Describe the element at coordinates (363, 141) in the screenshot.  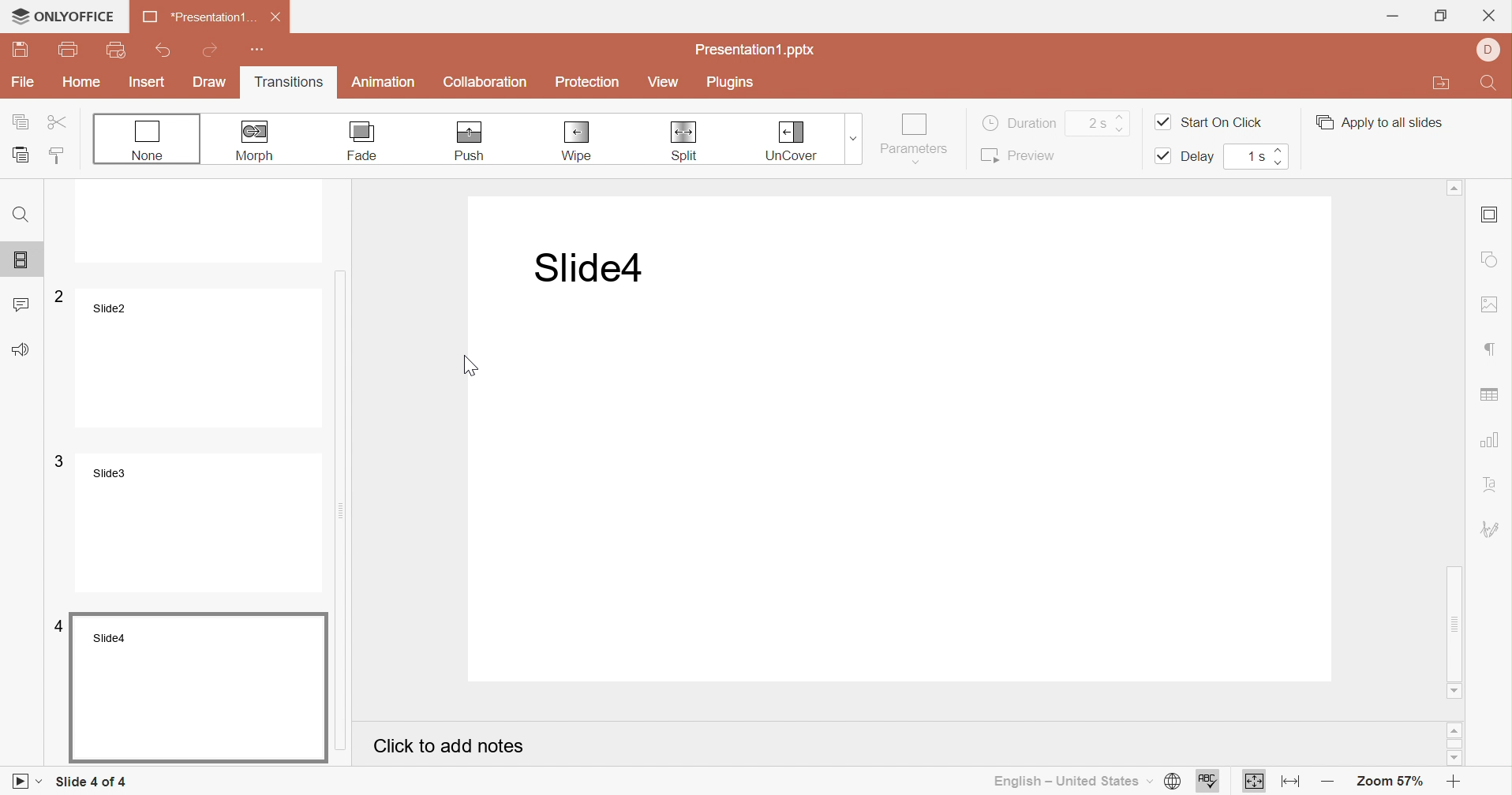
I see `Fade` at that location.